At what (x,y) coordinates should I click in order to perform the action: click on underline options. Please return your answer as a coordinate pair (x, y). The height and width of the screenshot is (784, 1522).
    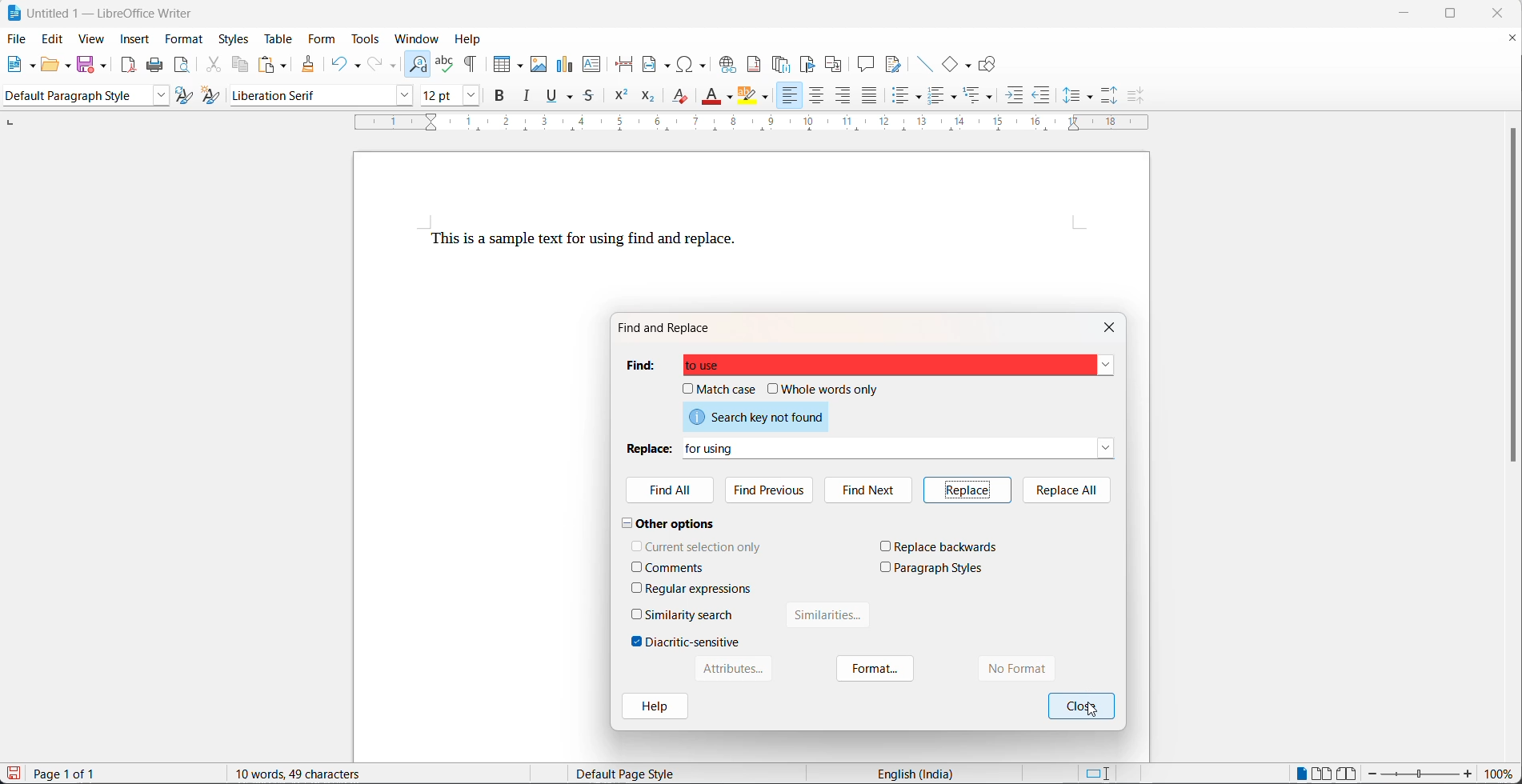
    Looking at the image, I should click on (571, 98).